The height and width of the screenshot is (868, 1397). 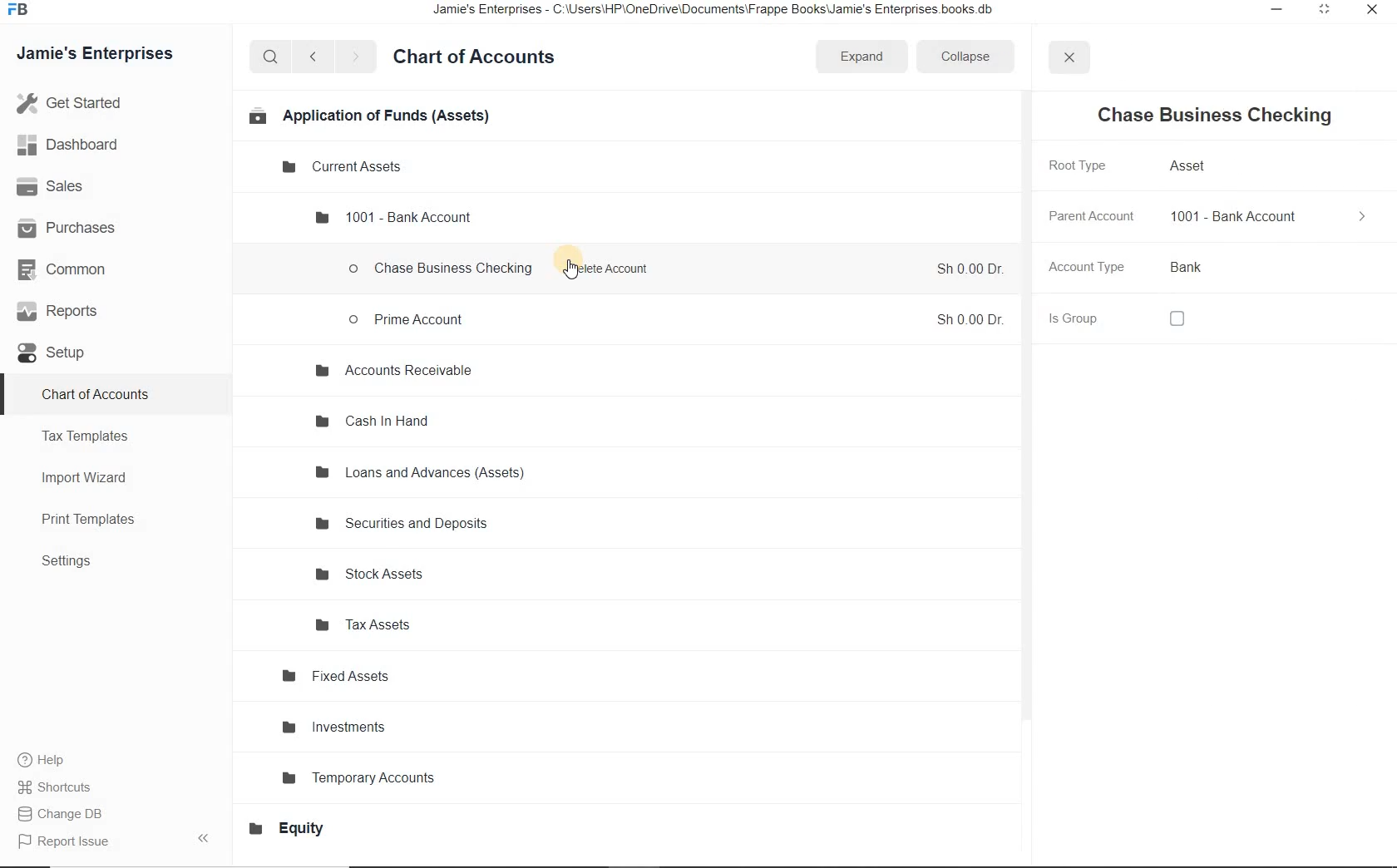 What do you see at coordinates (481, 57) in the screenshot?
I see `Chart of Accounts` at bounding box center [481, 57].